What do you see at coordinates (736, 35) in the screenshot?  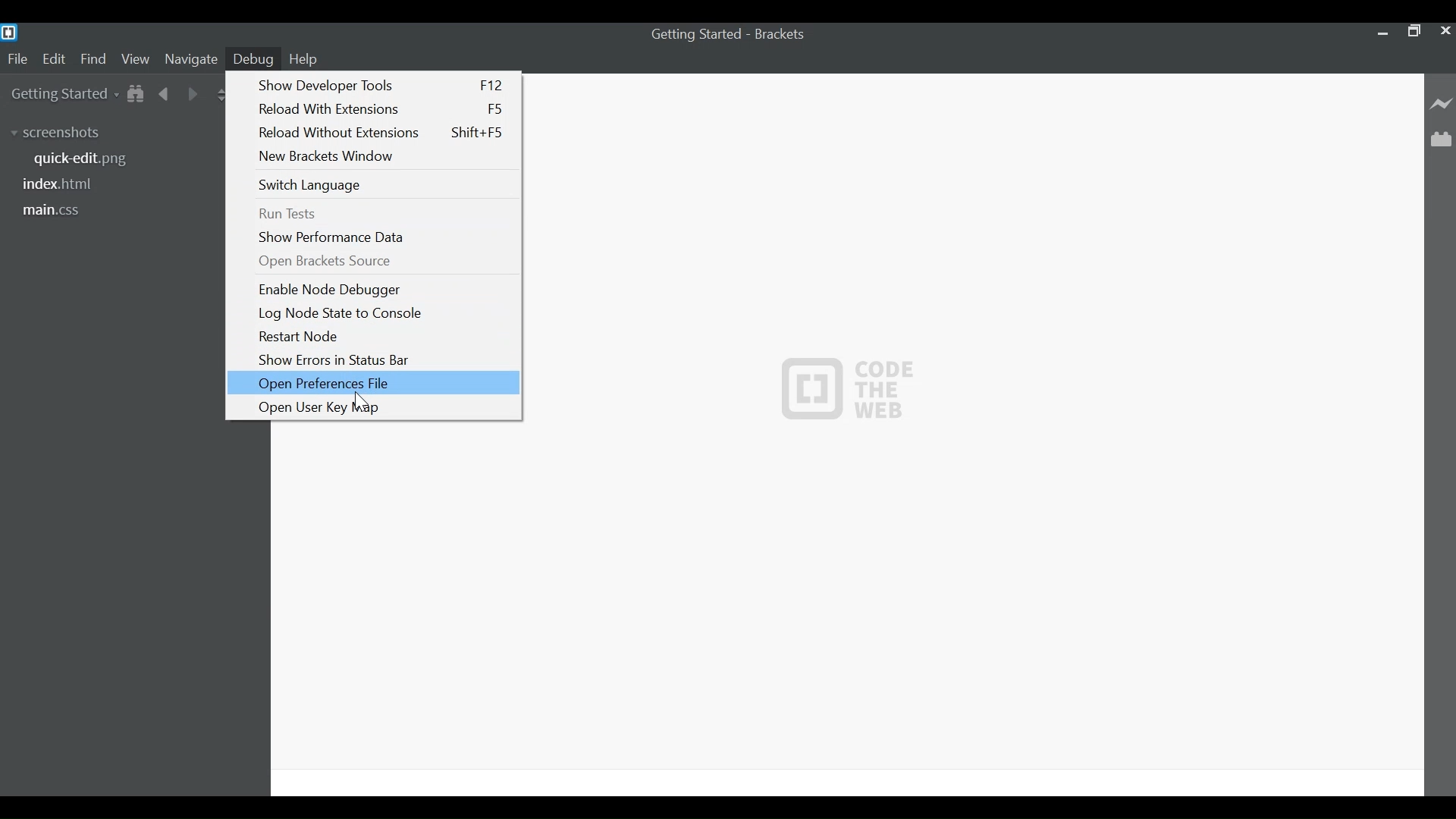 I see `Getting Started - Brackets` at bounding box center [736, 35].